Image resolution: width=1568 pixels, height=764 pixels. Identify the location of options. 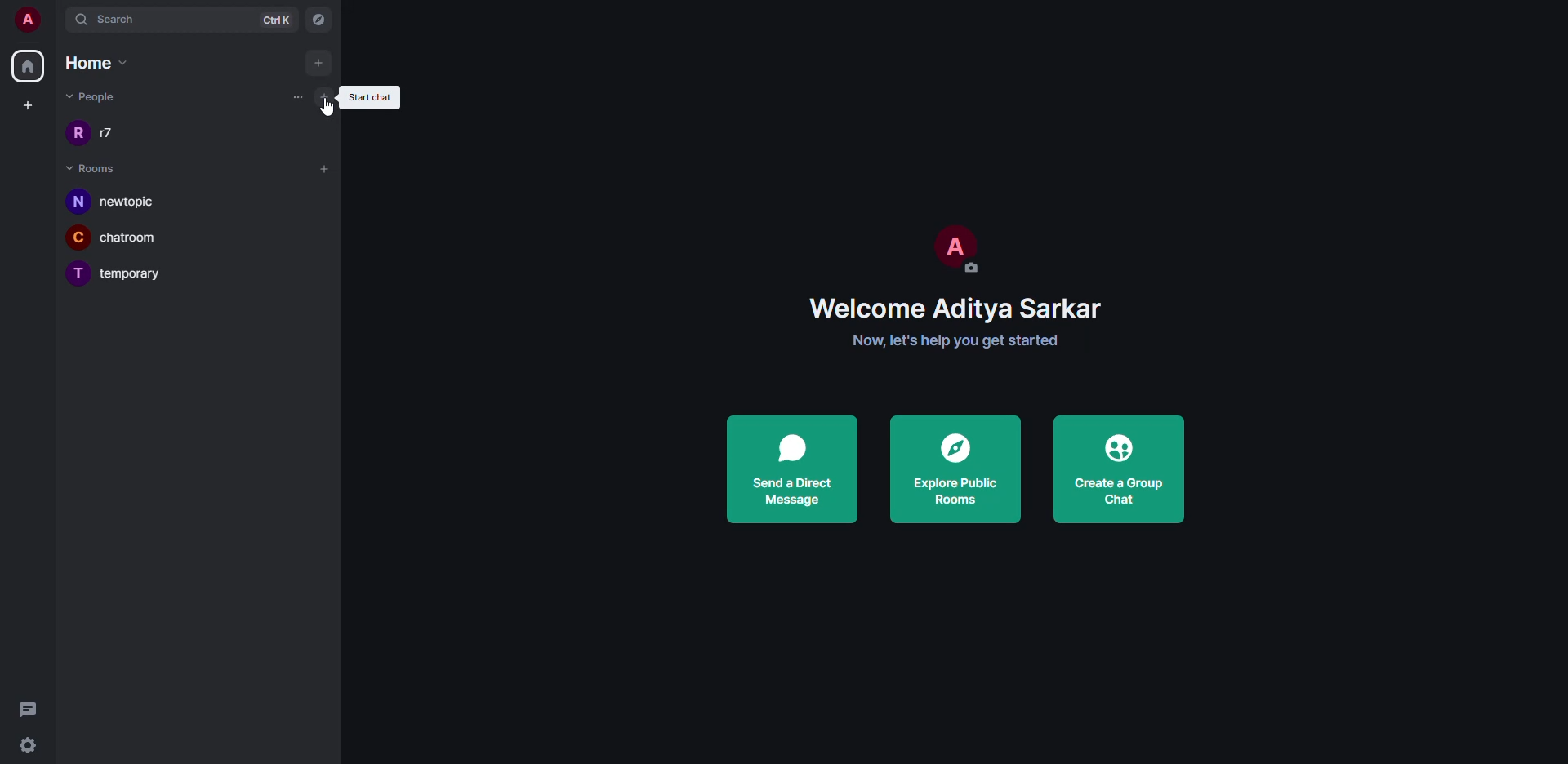
(295, 99).